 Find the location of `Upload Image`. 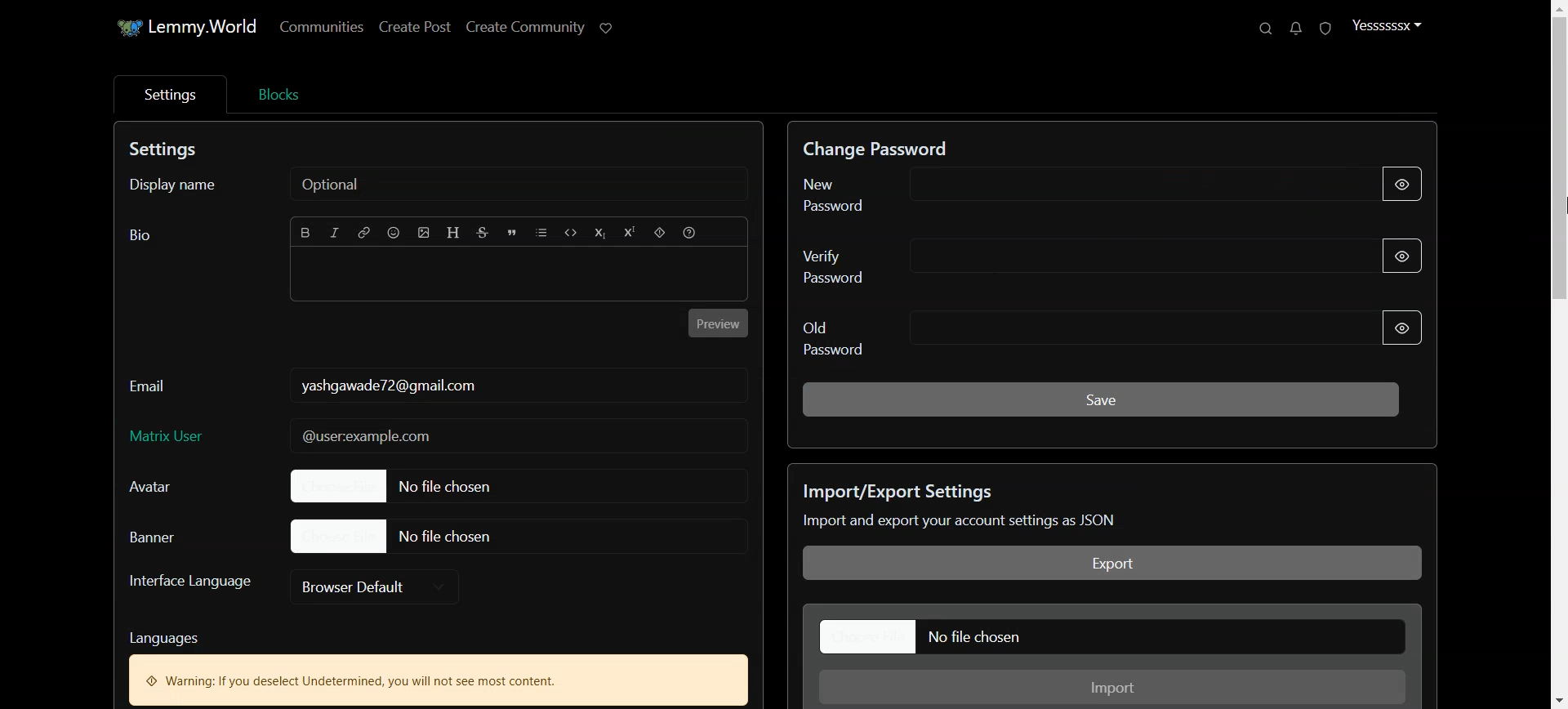

Upload Image is located at coordinates (424, 233).